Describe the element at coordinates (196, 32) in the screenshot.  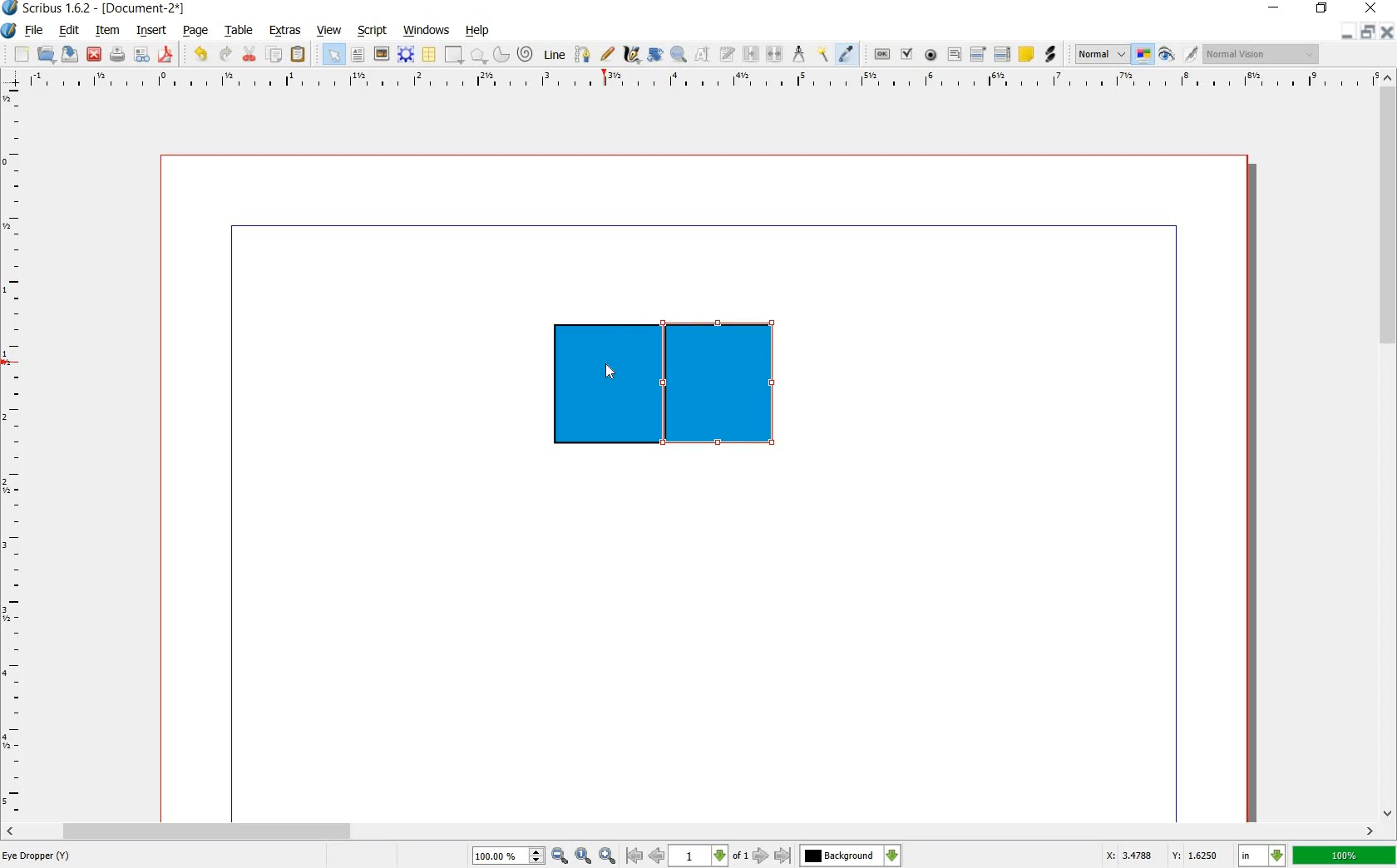
I see `page` at that location.